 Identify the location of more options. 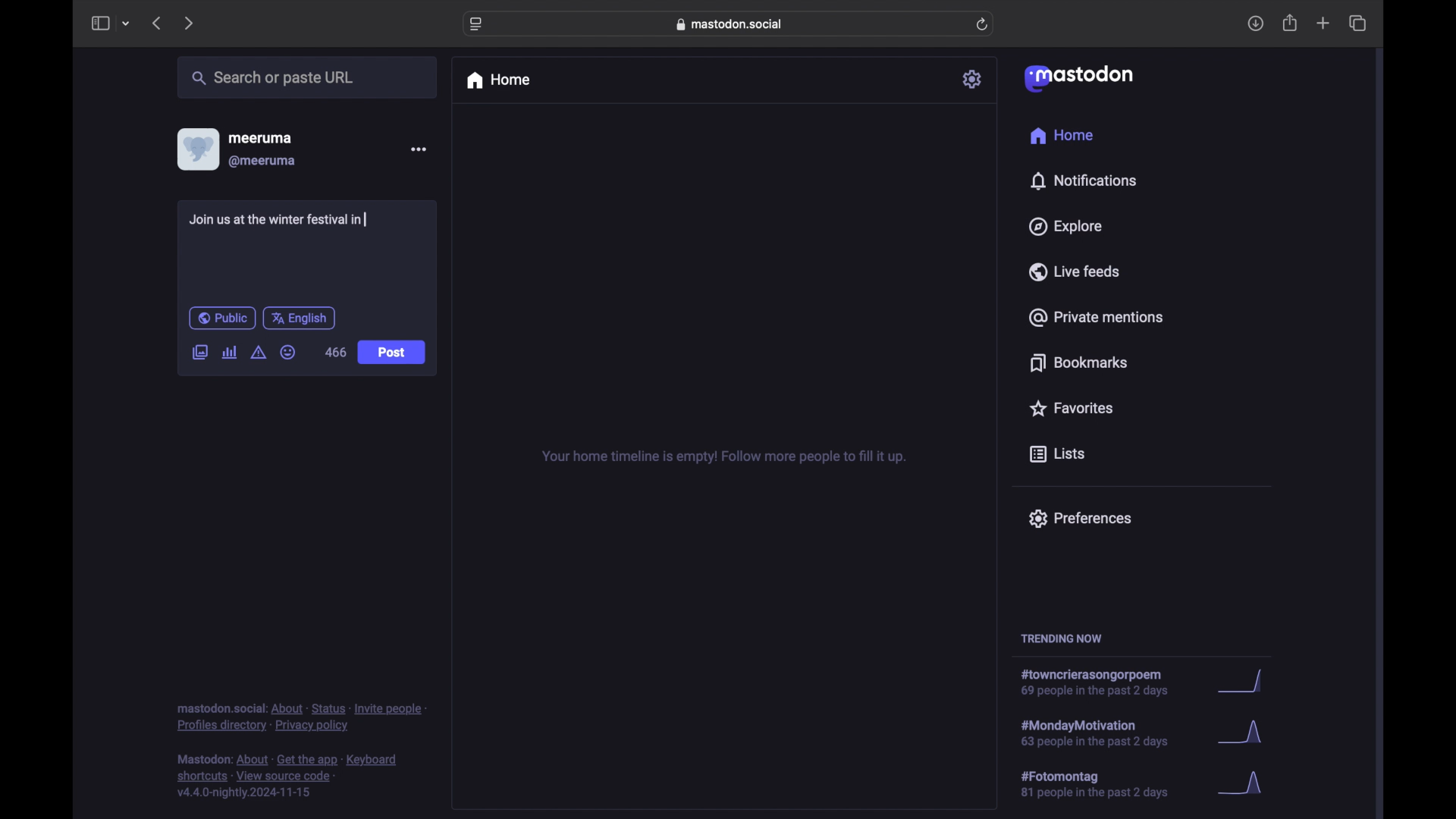
(419, 149).